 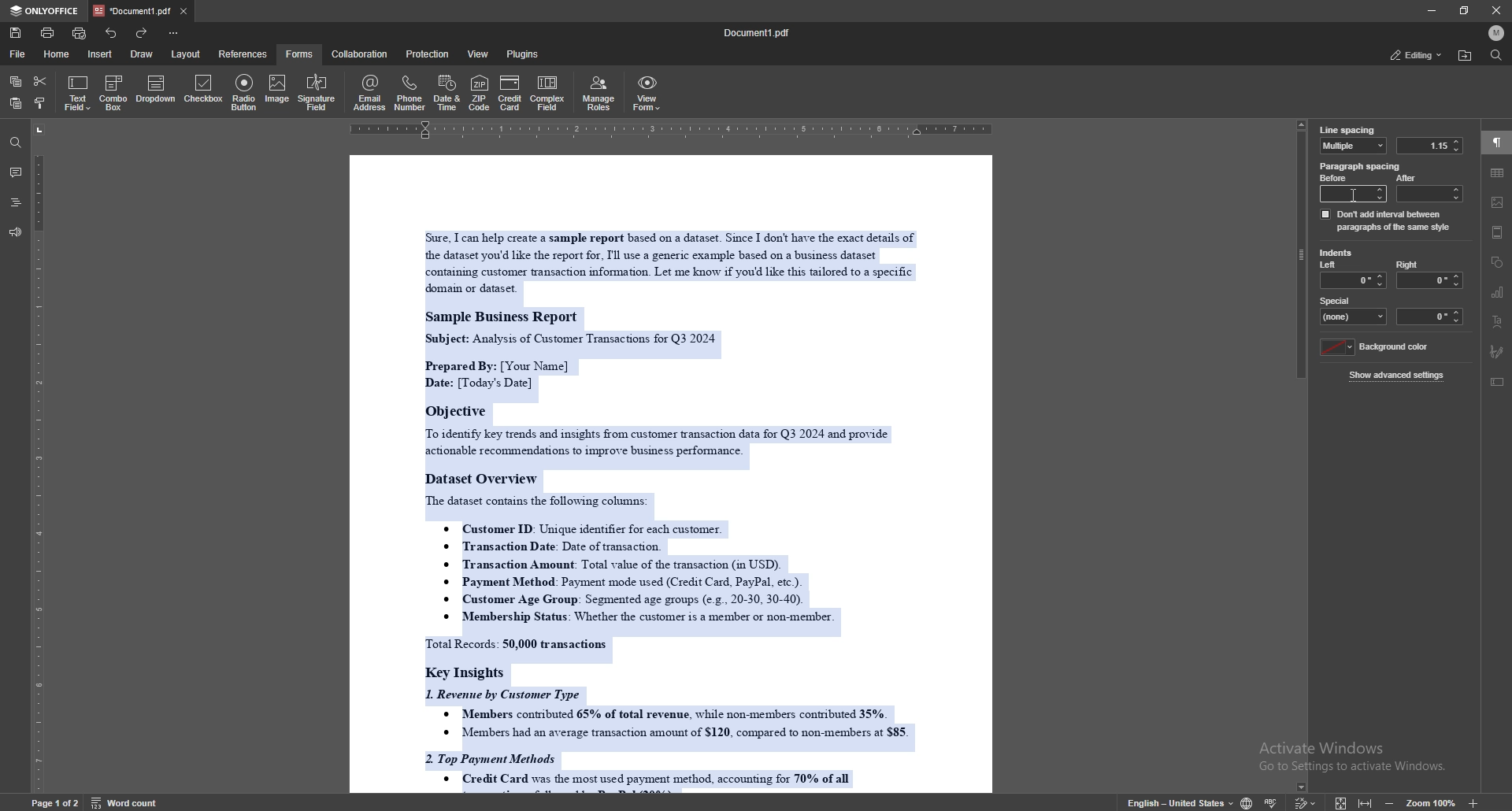 I want to click on protection, so click(x=429, y=54).